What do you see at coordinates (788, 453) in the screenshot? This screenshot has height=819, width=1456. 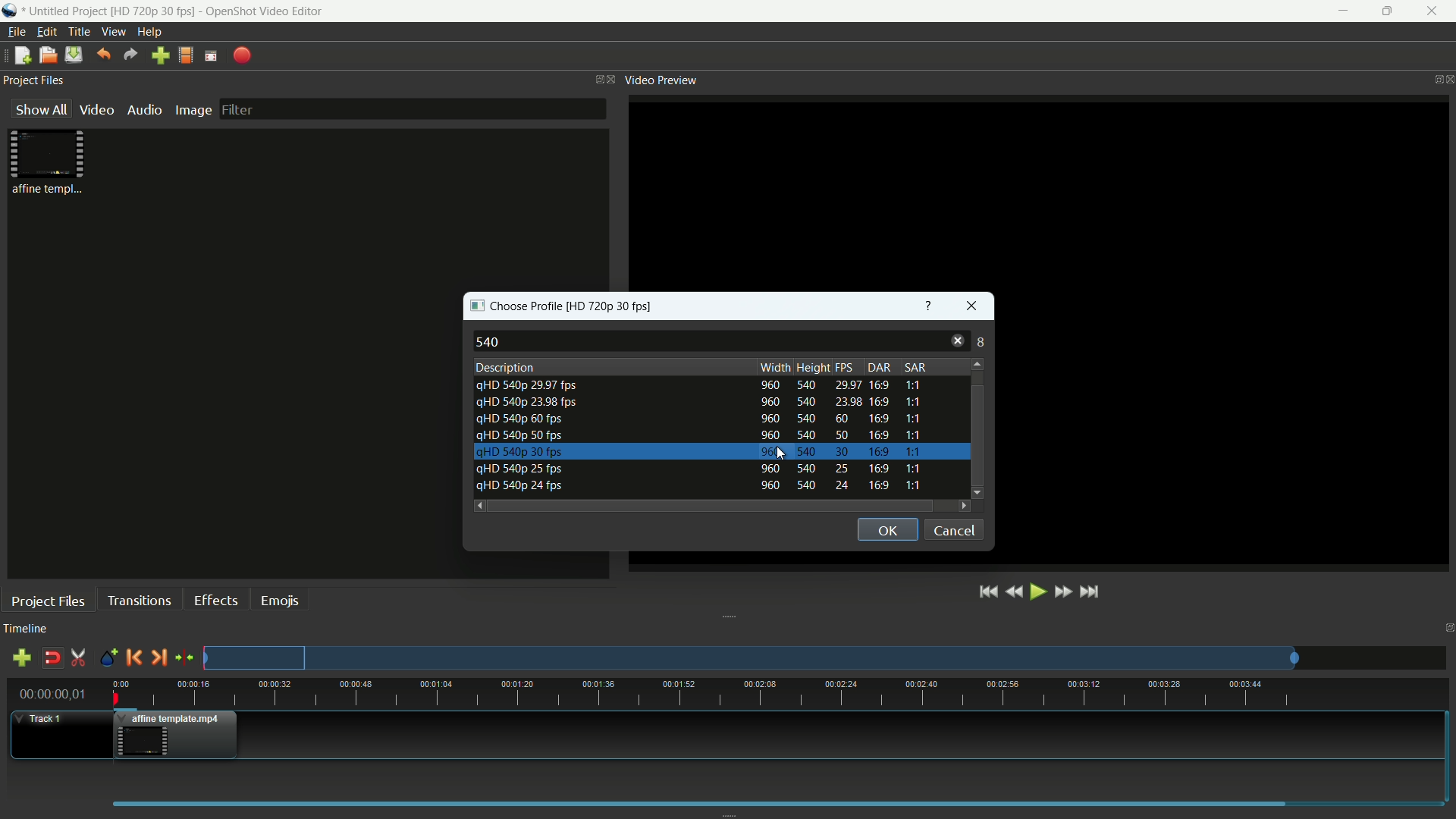 I see `cursor` at bounding box center [788, 453].